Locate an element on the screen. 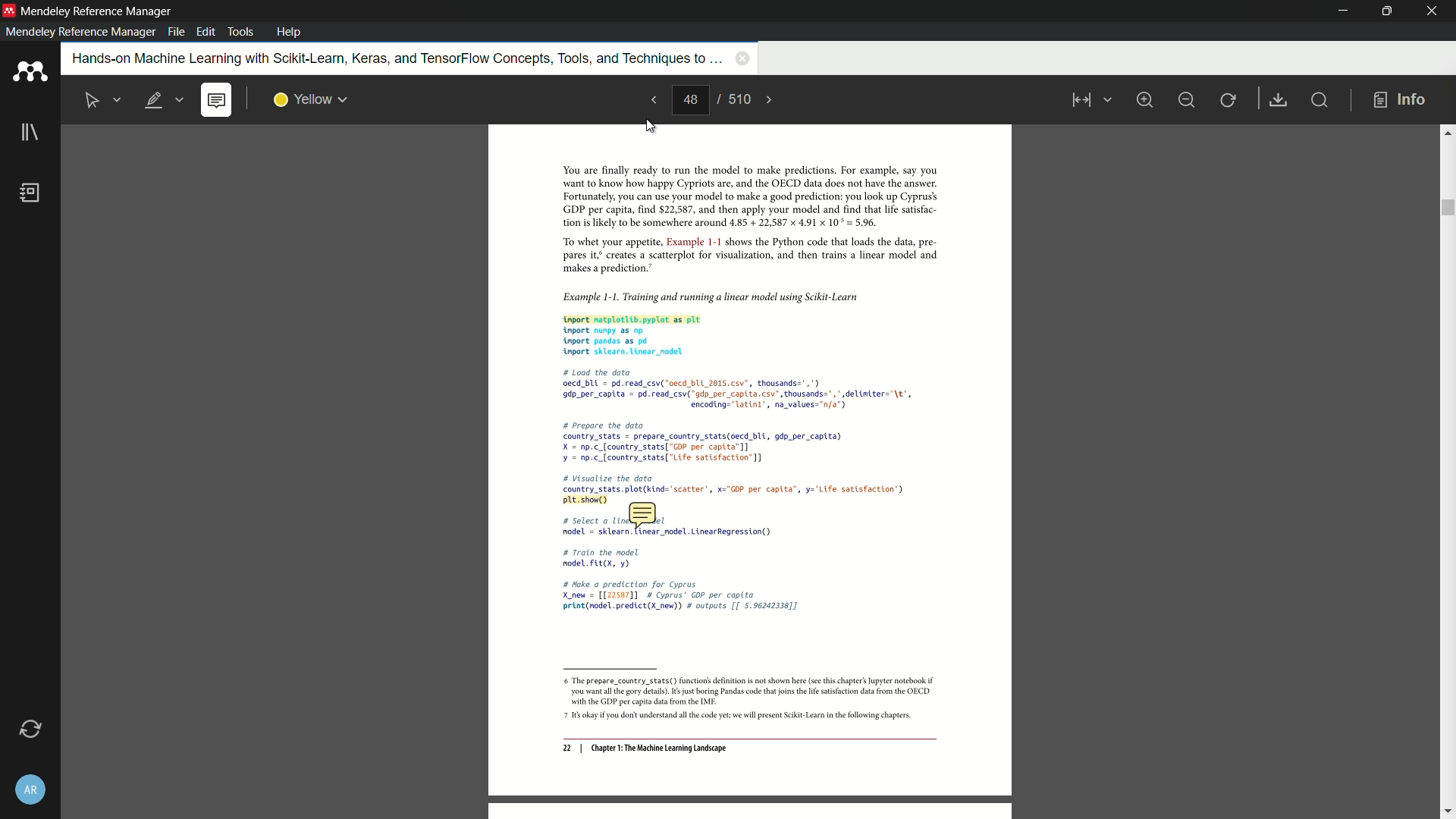 Image resolution: width=1456 pixels, height=819 pixels. scroll bar is located at coordinates (1446, 208).